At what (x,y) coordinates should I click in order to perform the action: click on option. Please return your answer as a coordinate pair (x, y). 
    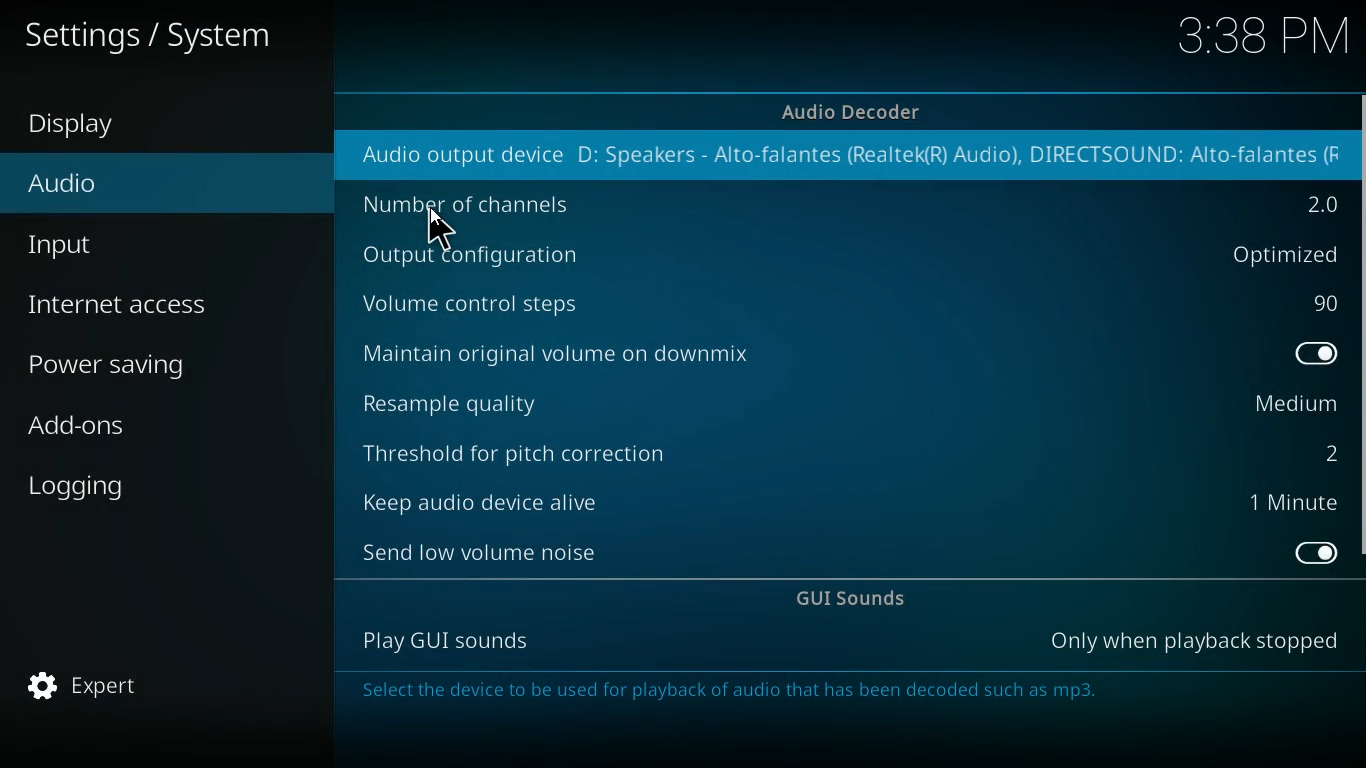
    Looking at the image, I should click on (1290, 405).